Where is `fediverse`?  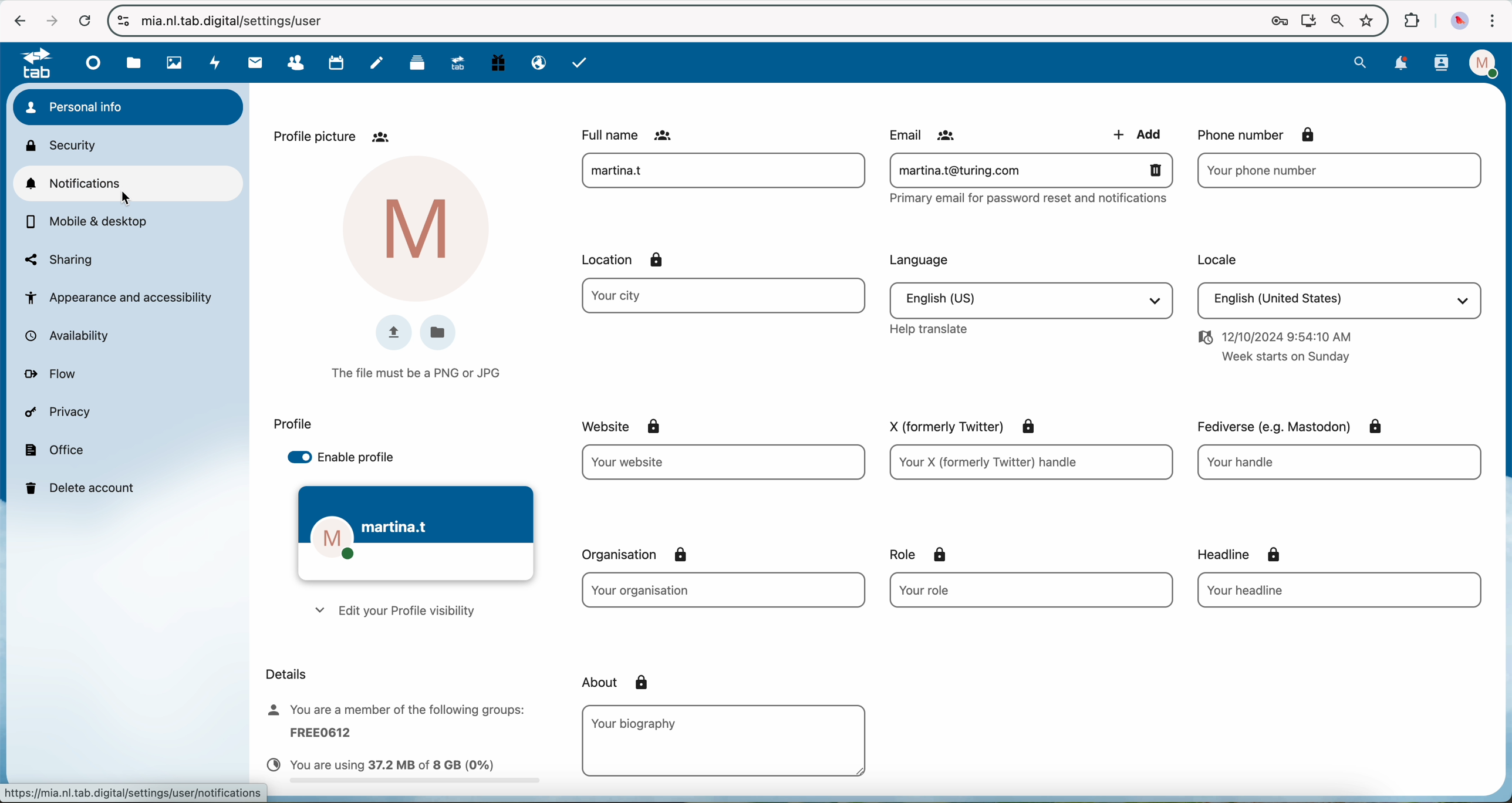 fediverse is located at coordinates (1291, 426).